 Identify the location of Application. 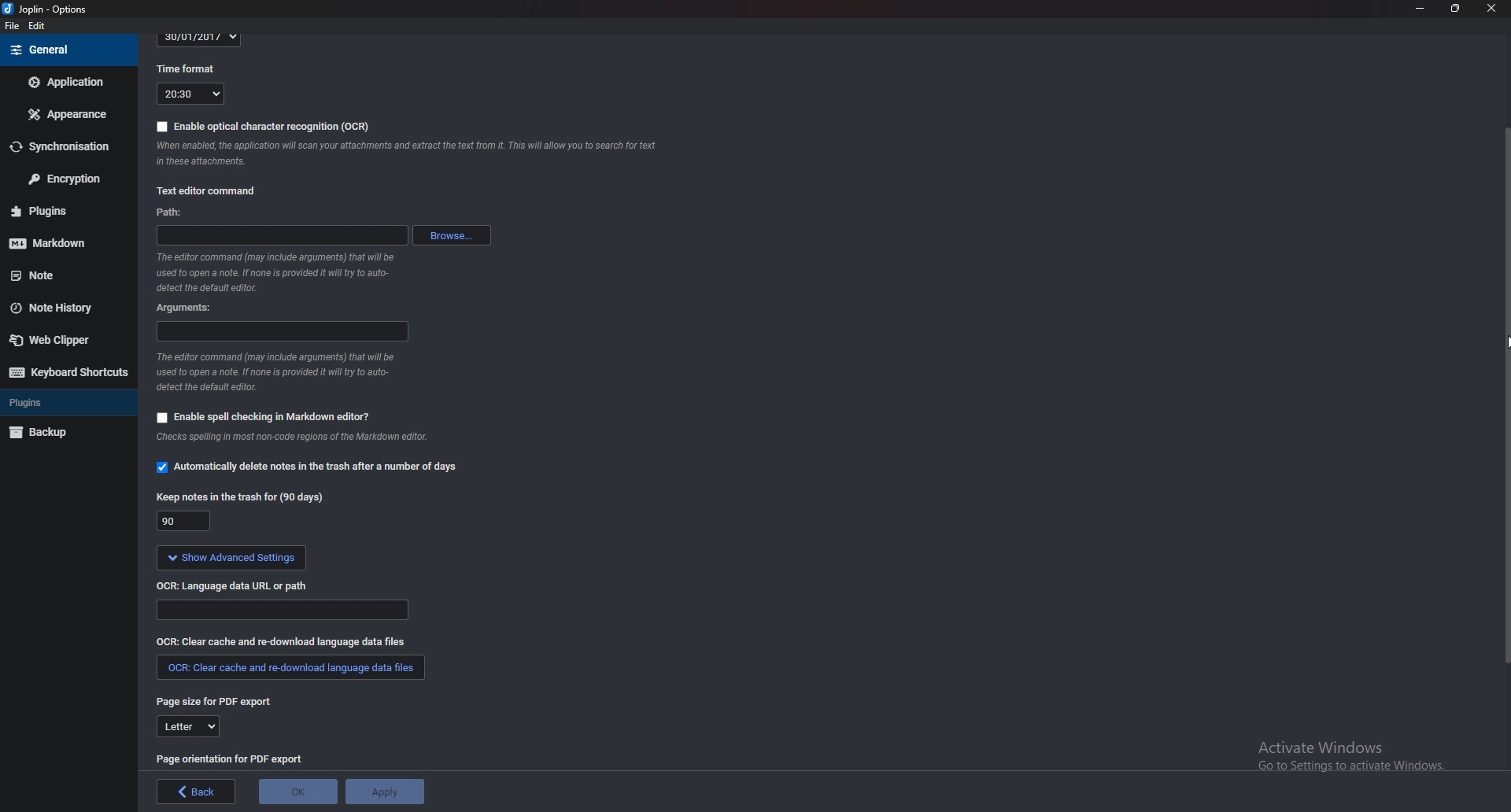
(67, 81).